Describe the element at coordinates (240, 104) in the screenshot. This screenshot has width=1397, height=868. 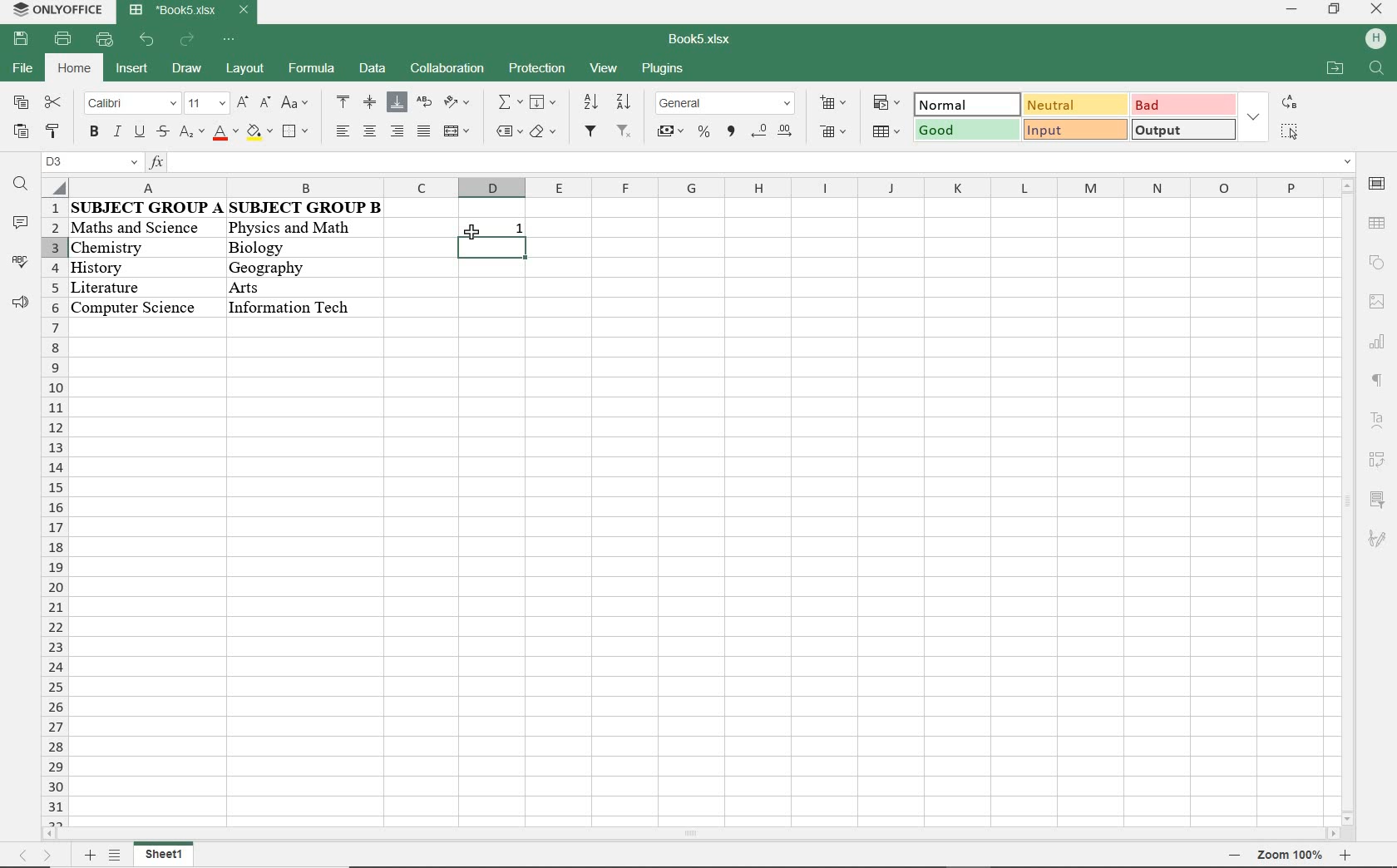
I see `increment font size` at that location.